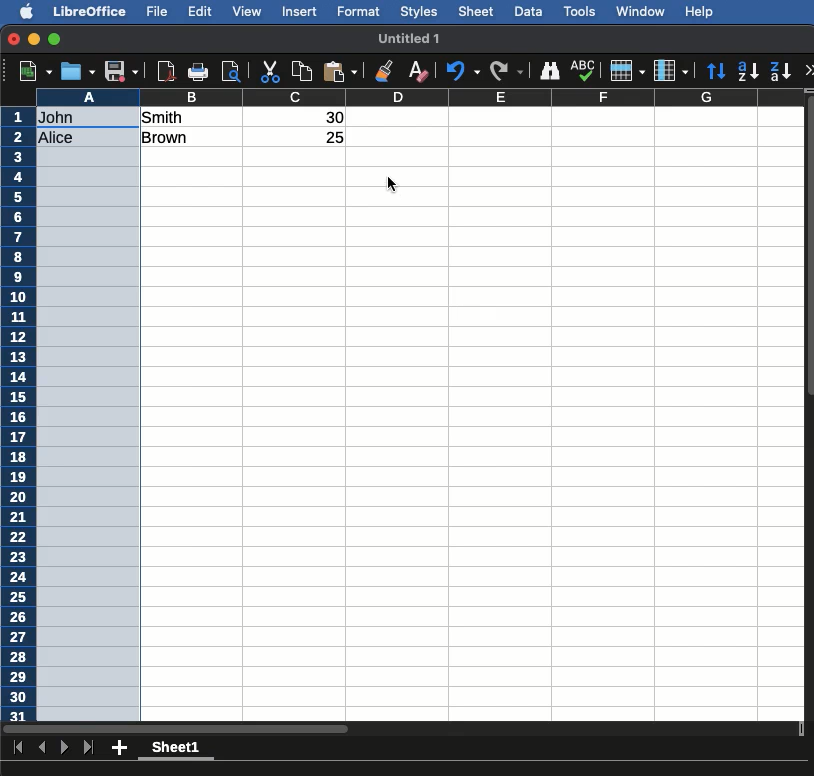 The height and width of the screenshot is (776, 814). Describe the element at coordinates (385, 73) in the screenshot. I see `Clone formatting` at that location.